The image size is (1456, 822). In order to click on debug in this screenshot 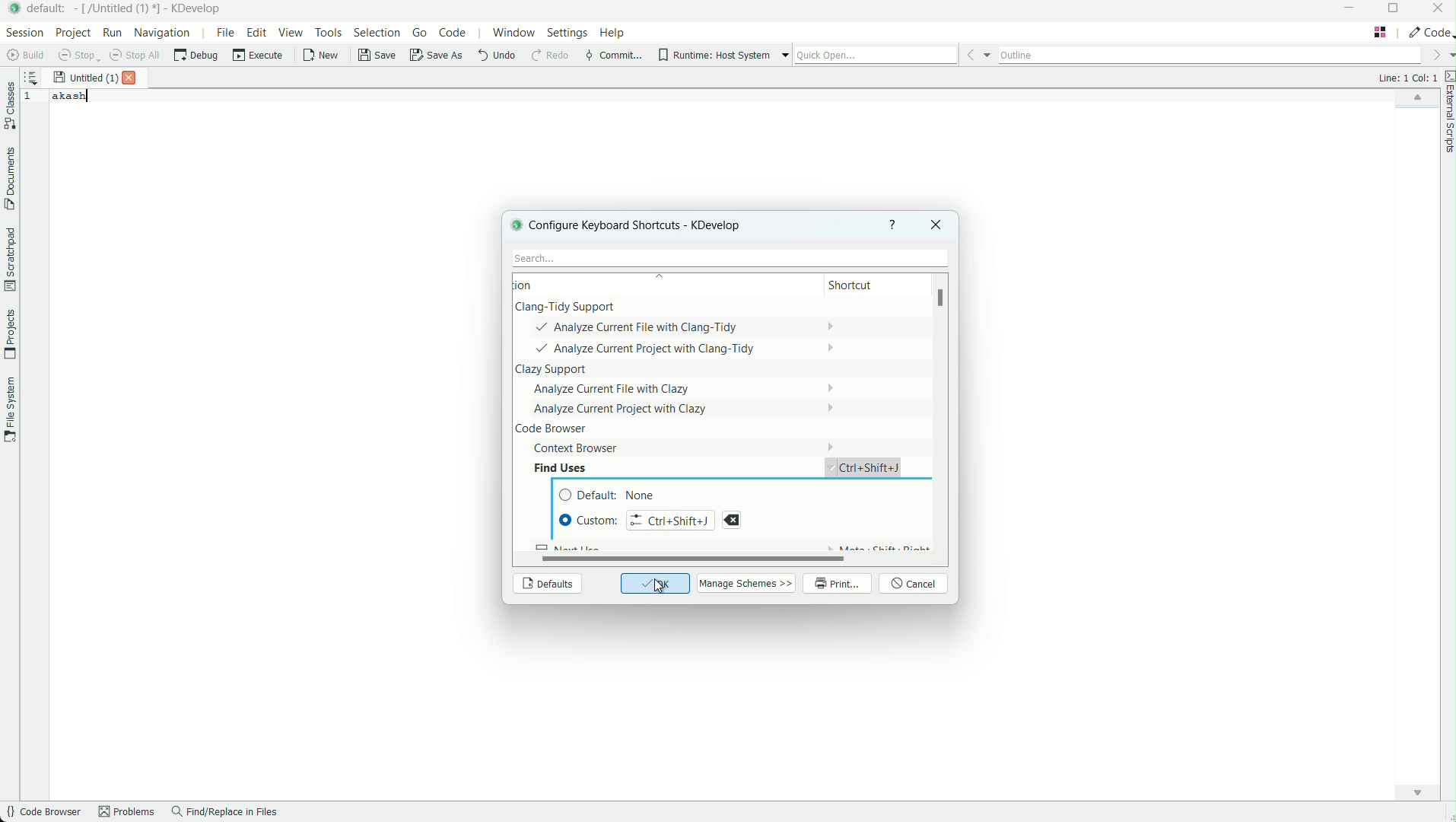, I will do `click(196, 56)`.